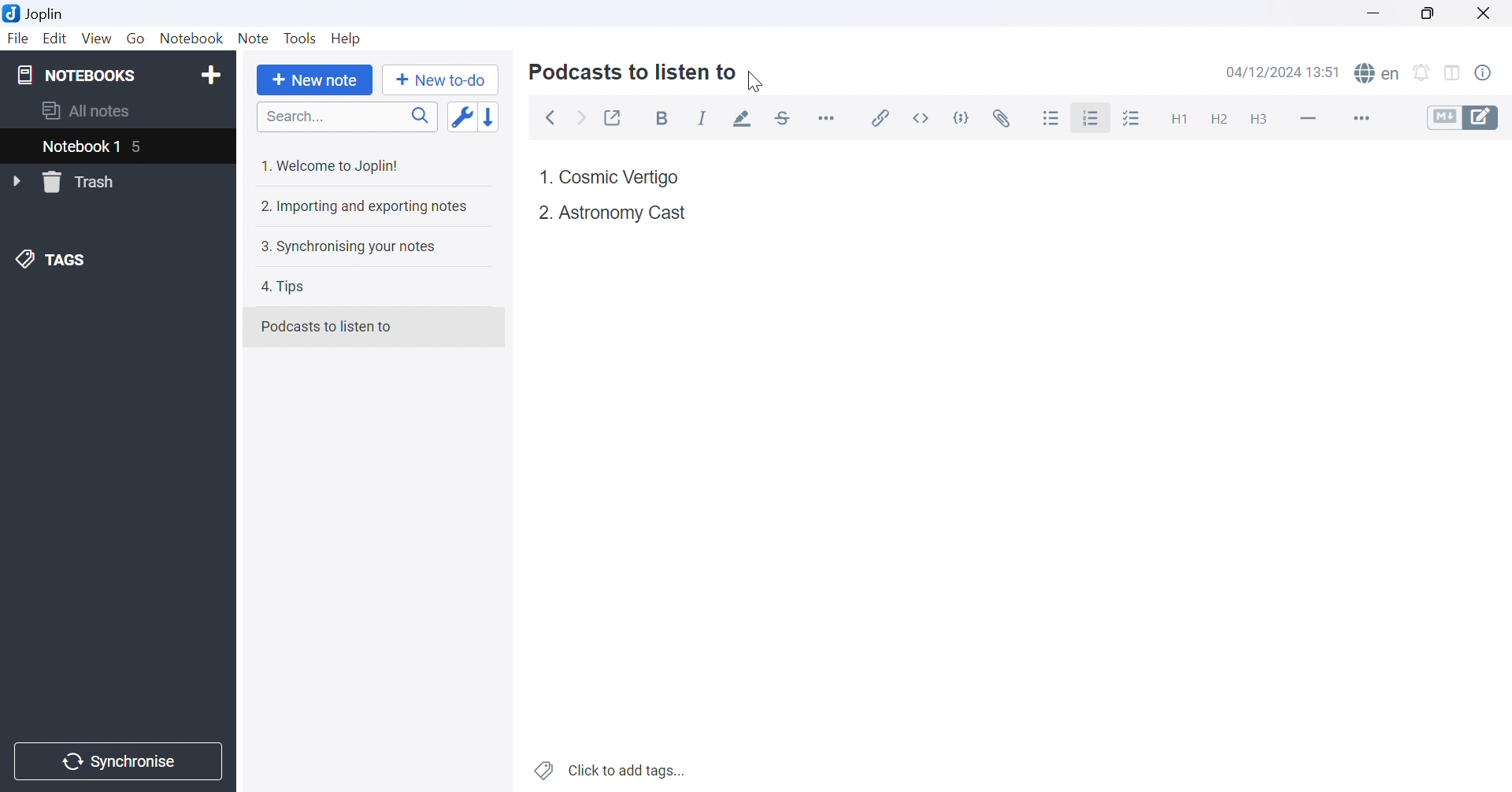  I want to click on Add notebook, so click(210, 77).